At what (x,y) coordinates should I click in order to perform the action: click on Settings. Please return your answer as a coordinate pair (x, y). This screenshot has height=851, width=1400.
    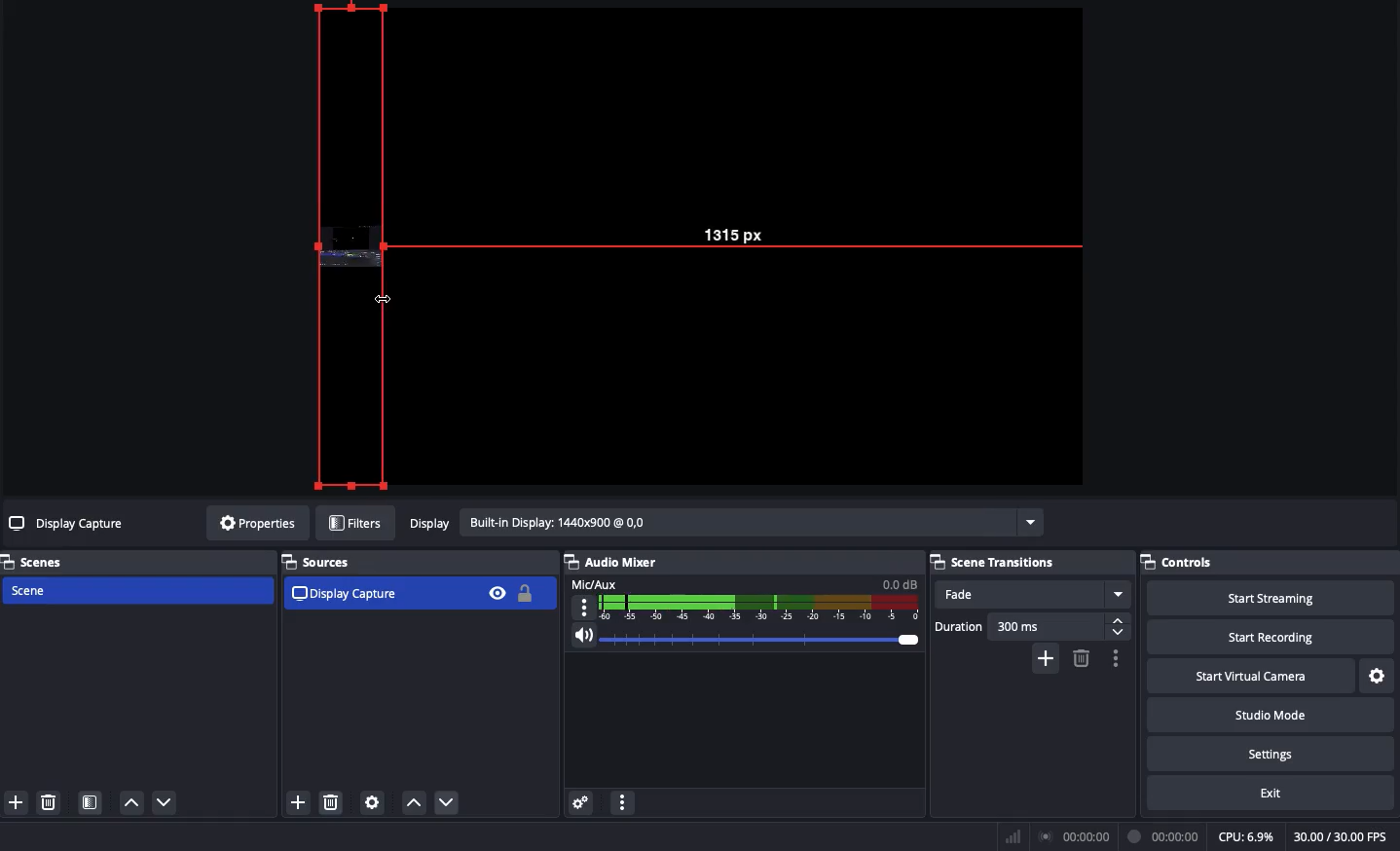
    Looking at the image, I should click on (1269, 751).